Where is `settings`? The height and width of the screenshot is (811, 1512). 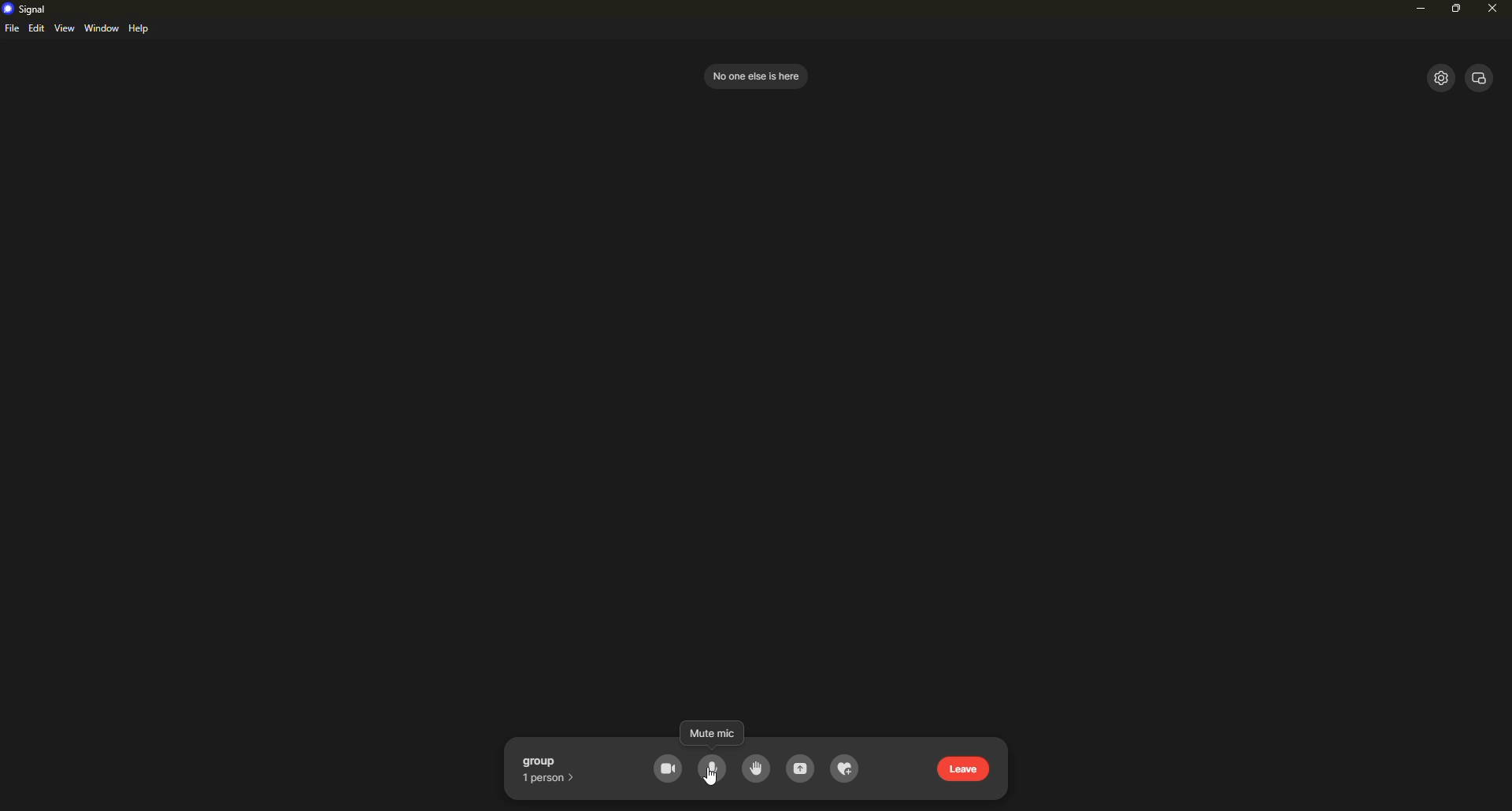
settings is located at coordinates (1439, 78).